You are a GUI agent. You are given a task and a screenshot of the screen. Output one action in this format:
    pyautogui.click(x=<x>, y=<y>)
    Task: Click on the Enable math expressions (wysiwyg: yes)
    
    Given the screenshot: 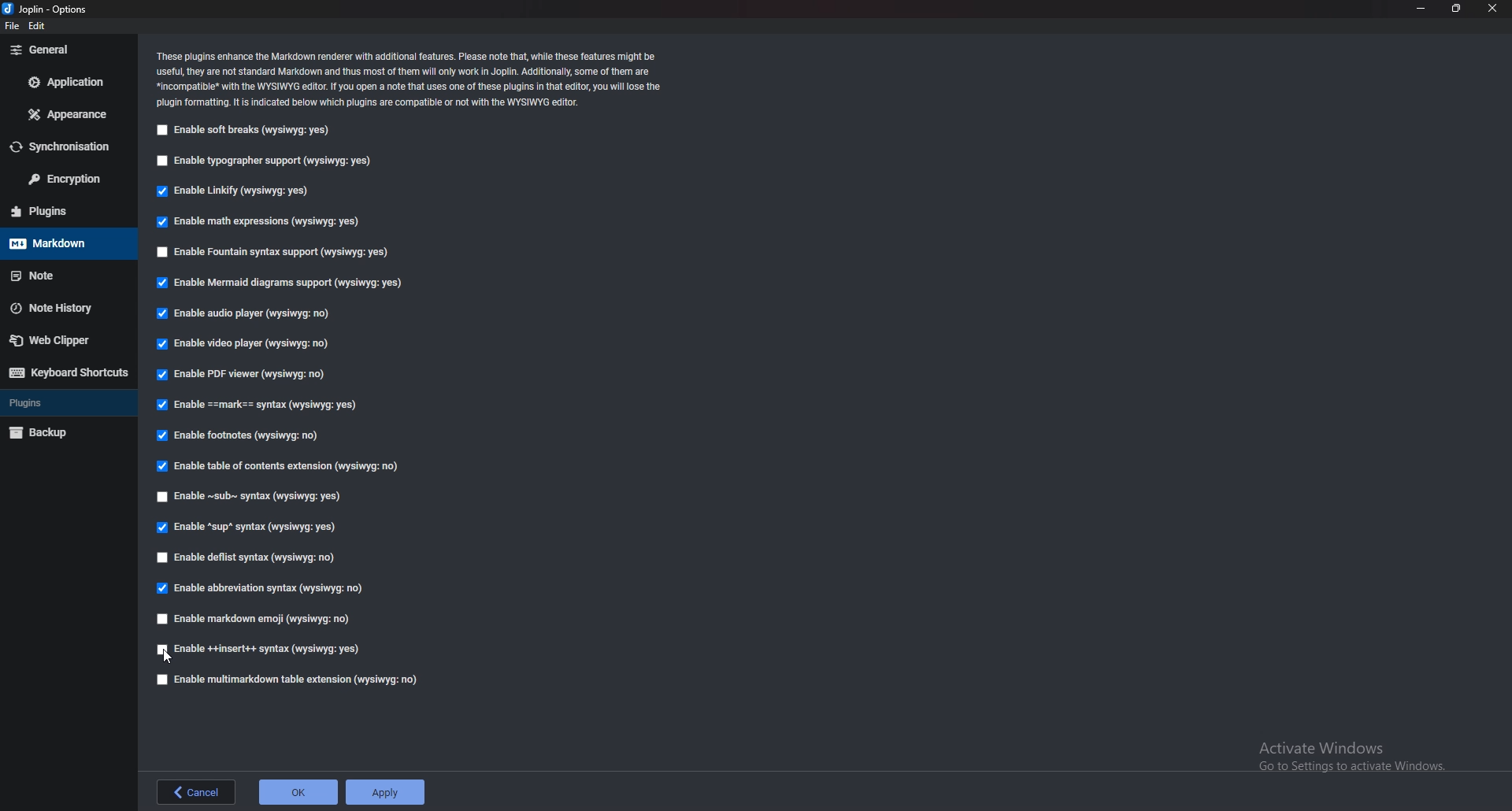 What is the action you would take?
    pyautogui.click(x=261, y=221)
    